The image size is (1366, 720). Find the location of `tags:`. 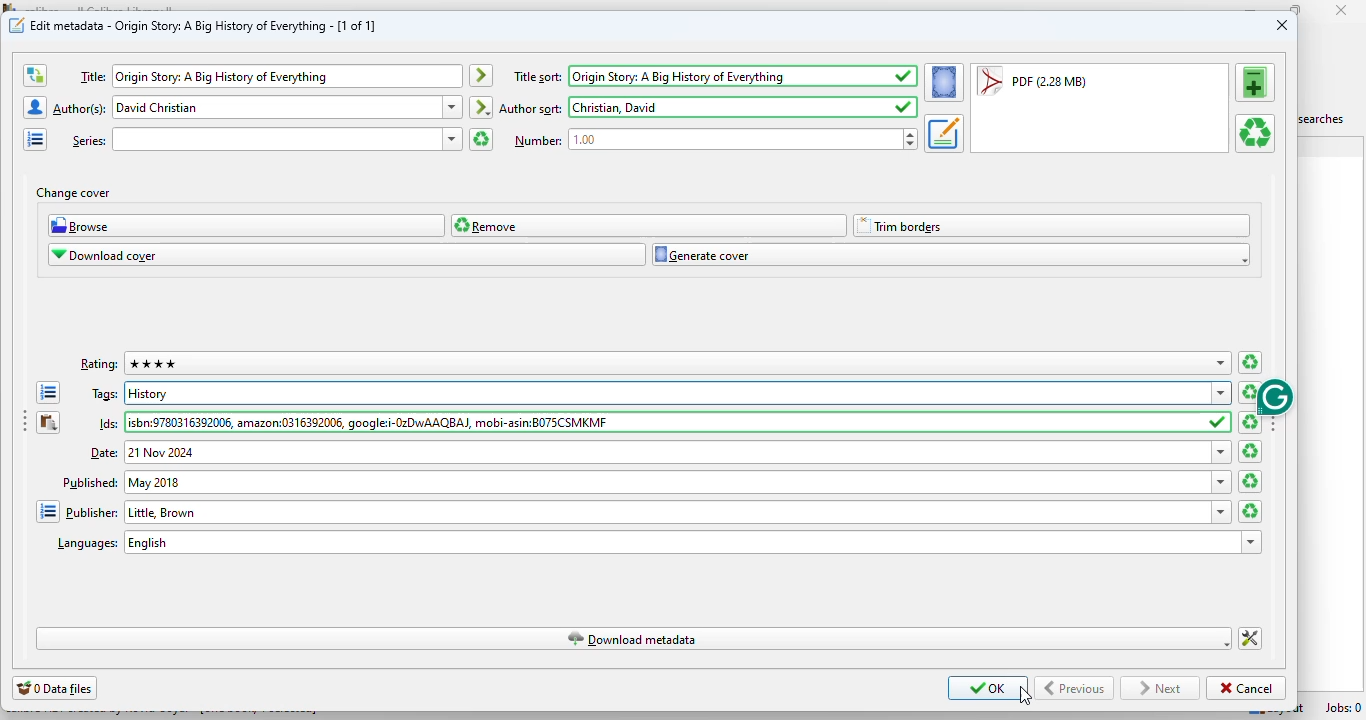

tags: is located at coordinates (667, 393).